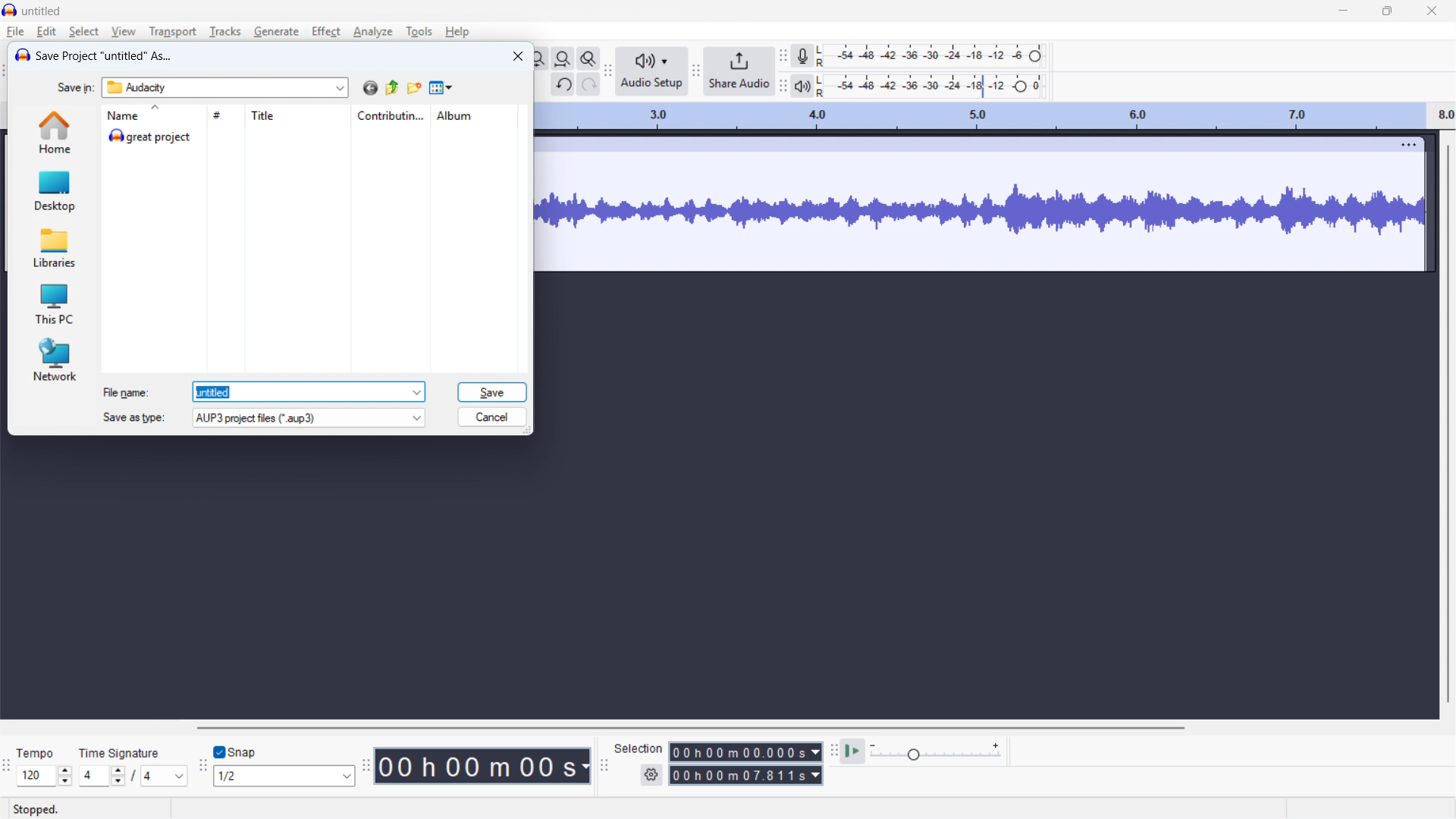  What do you see at coordinates (1386, 11) in the screenshot?
I see `Maximise ` at bounding box center [1386, 11].